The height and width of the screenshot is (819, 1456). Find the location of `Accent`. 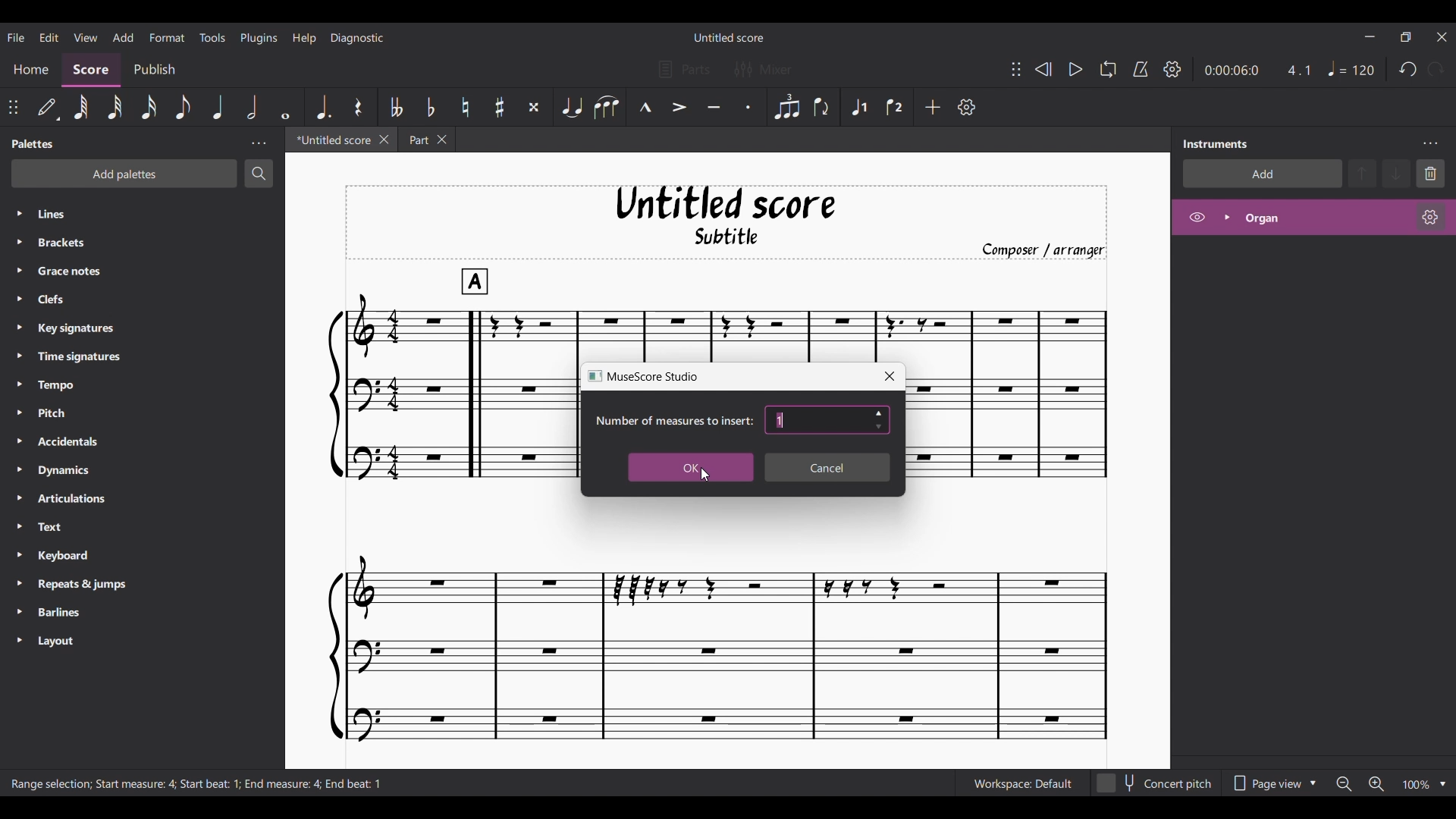

Accent is located at coordinates (679, 108).